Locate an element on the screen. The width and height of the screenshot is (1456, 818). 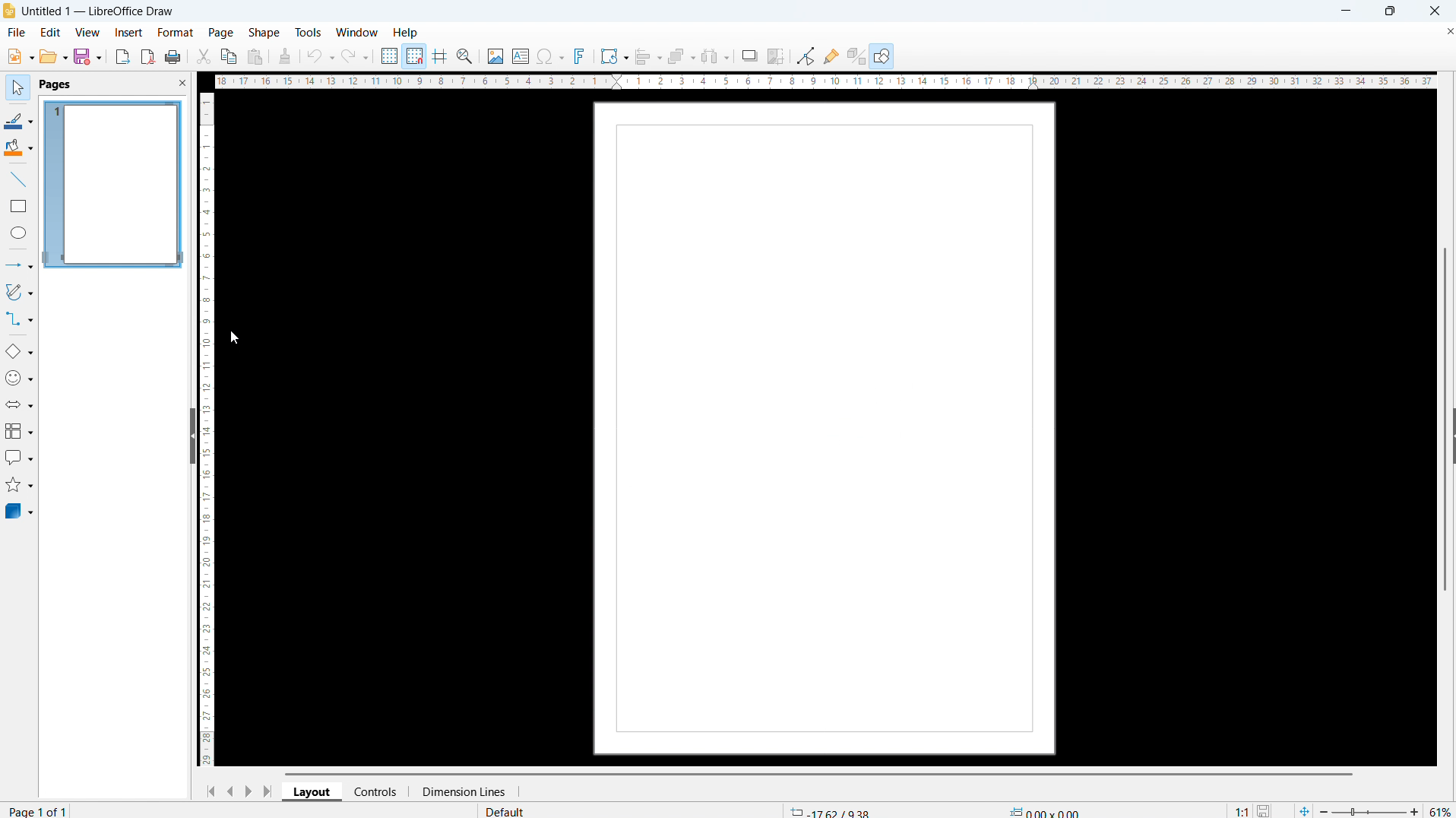
show gluepoint functions is located at coordinates (830, 55).